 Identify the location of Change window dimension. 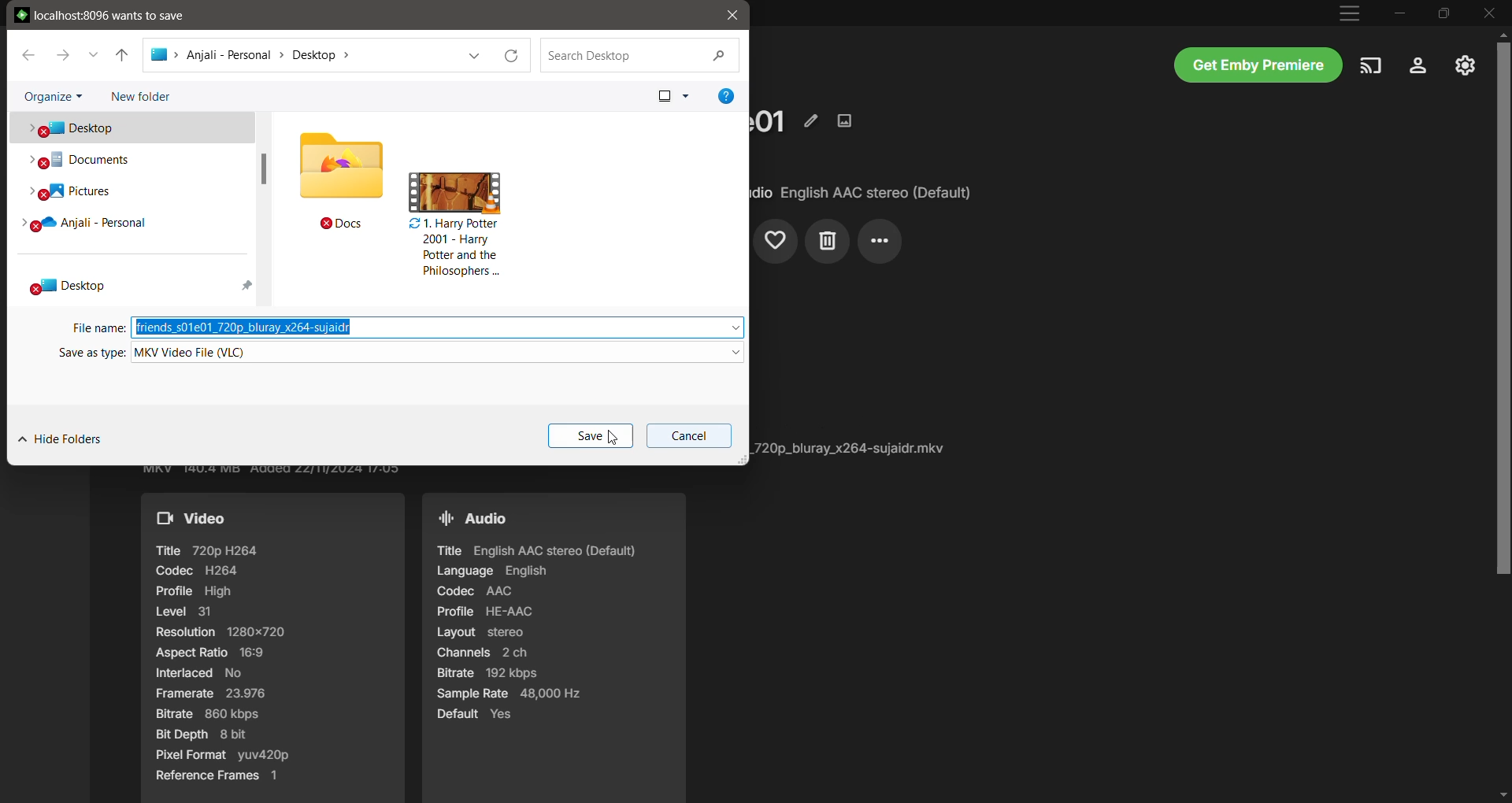
(741, 459).